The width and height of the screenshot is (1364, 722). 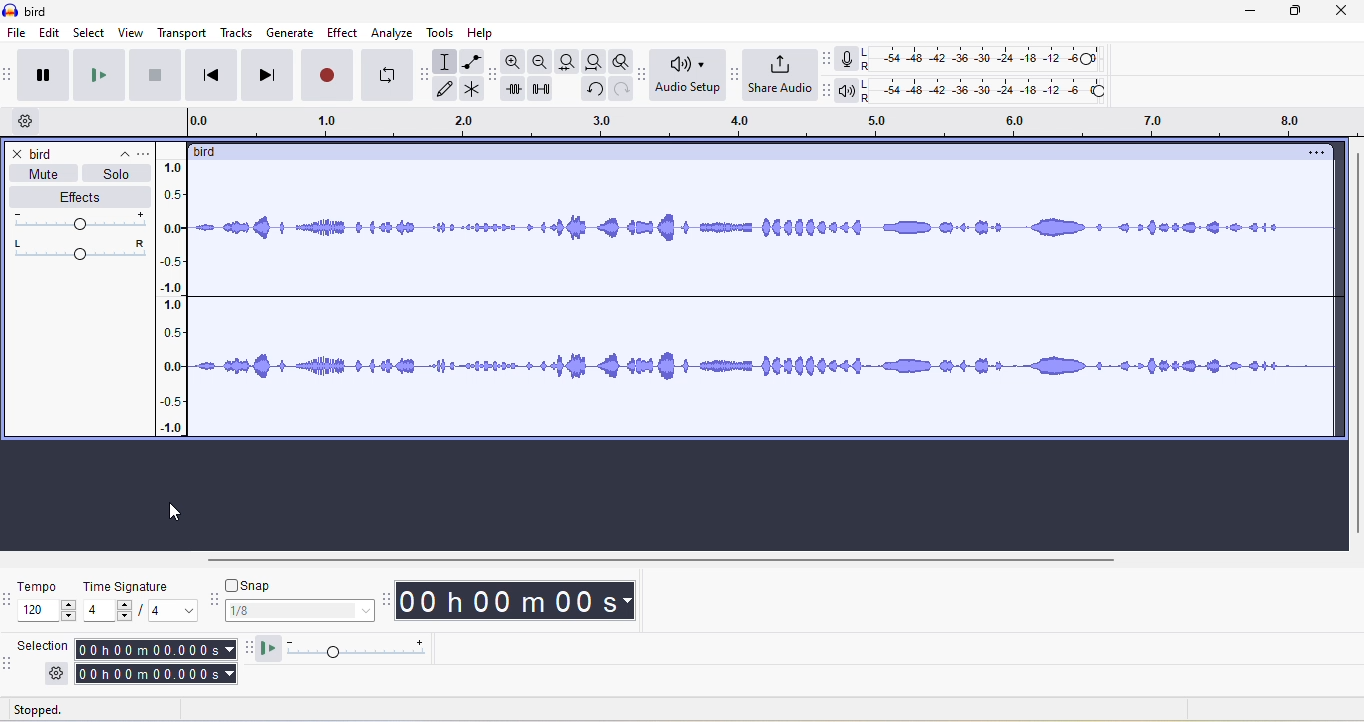 I want to click on edit, so click(x=51, y=34).